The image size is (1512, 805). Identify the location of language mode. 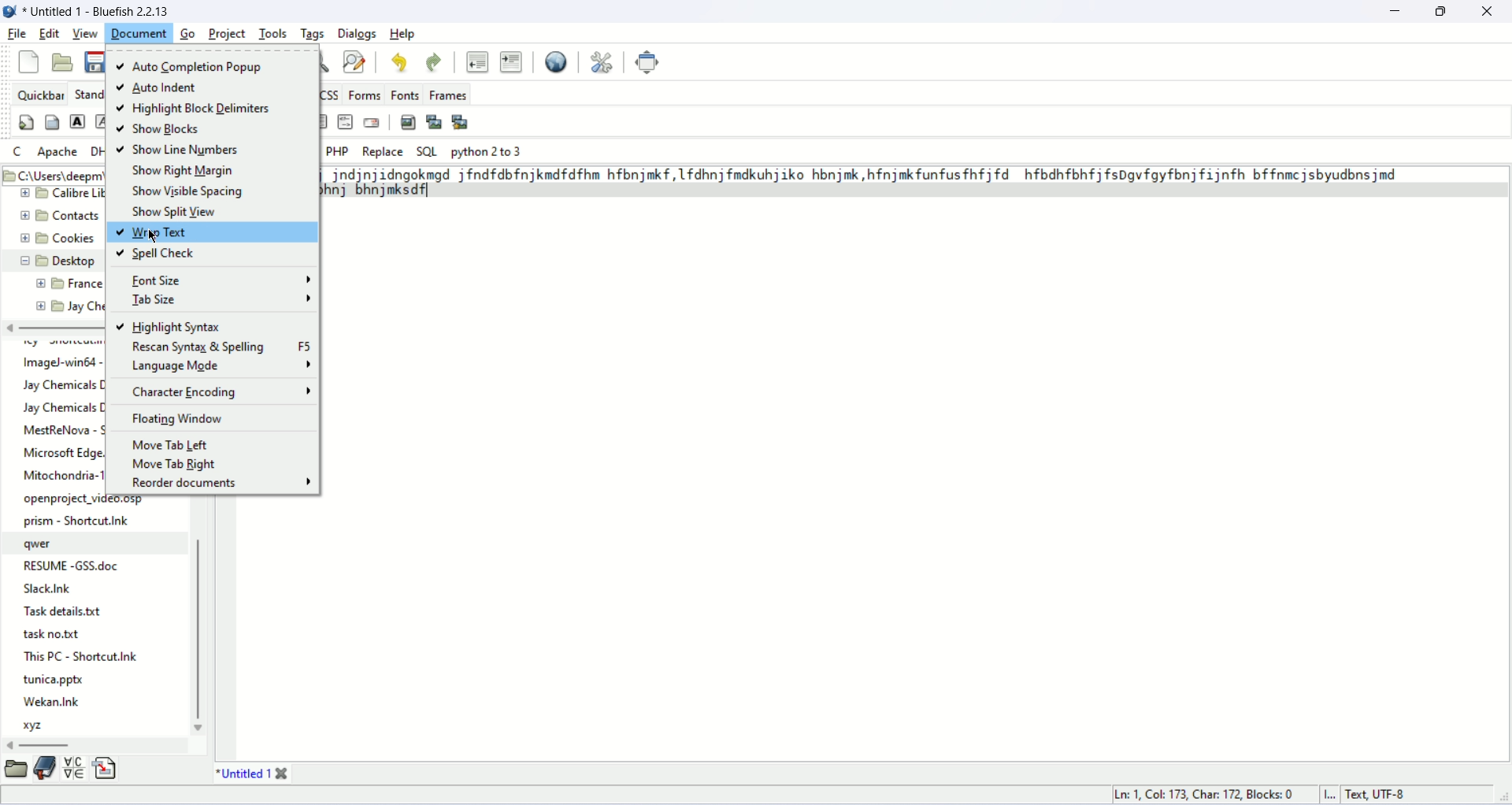
(220, 365).